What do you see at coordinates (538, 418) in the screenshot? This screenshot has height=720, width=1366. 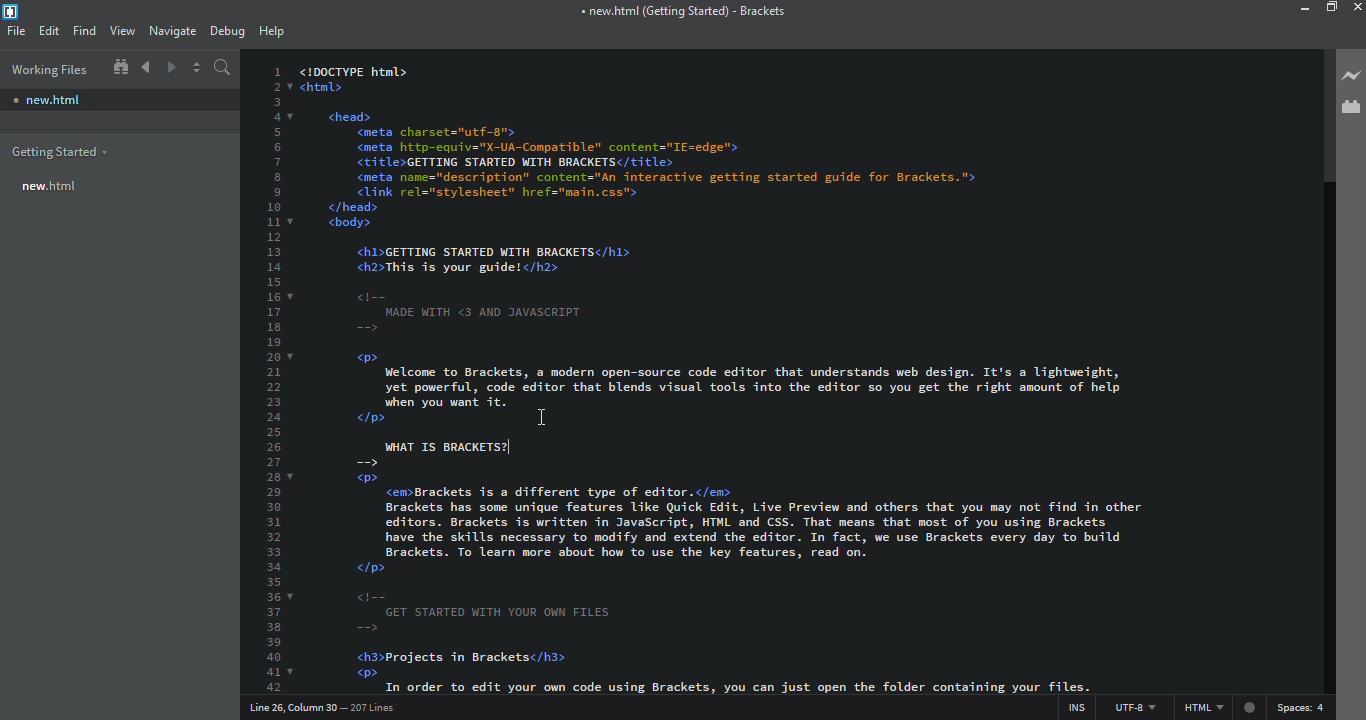 I see `cursor` at bounding box center [538, 418].